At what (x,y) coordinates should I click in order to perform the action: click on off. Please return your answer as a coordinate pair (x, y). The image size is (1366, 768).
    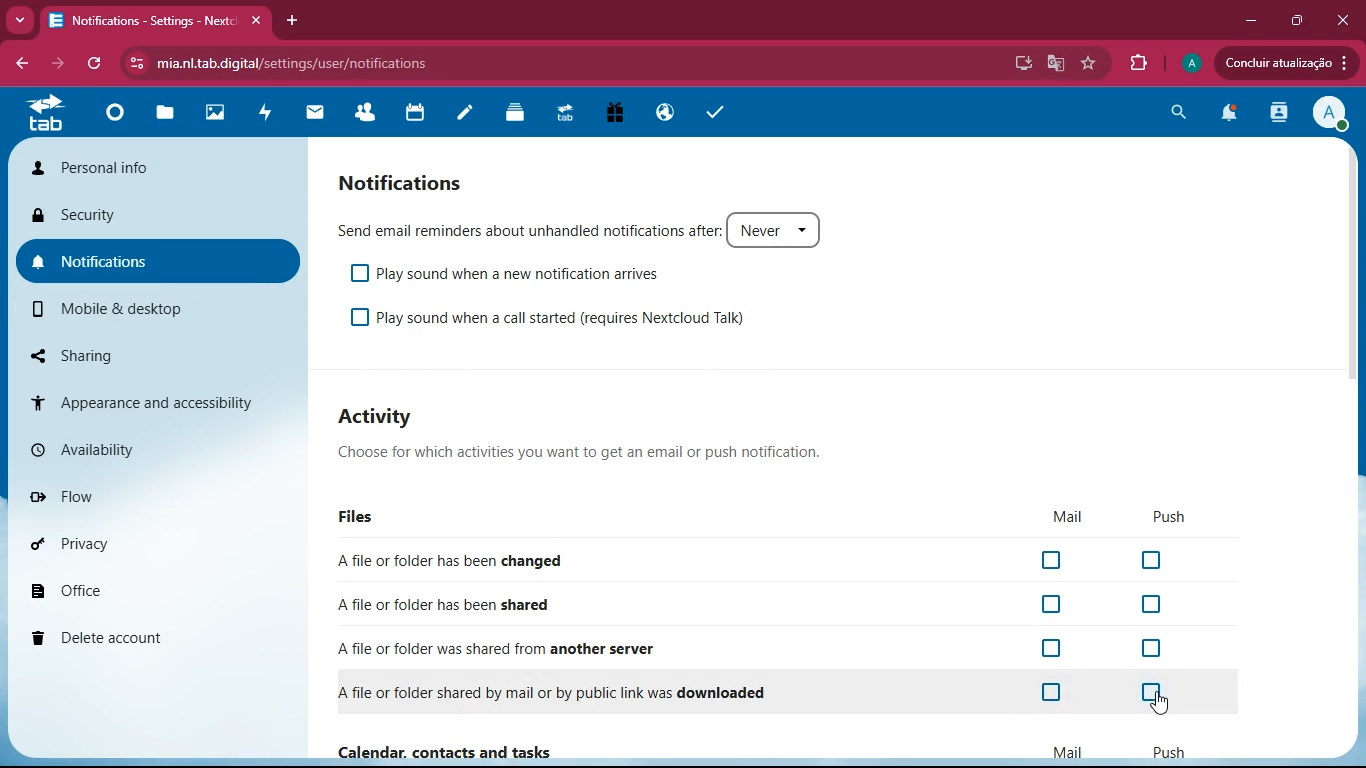
    Looking at the image, I should click on (1050, 562).